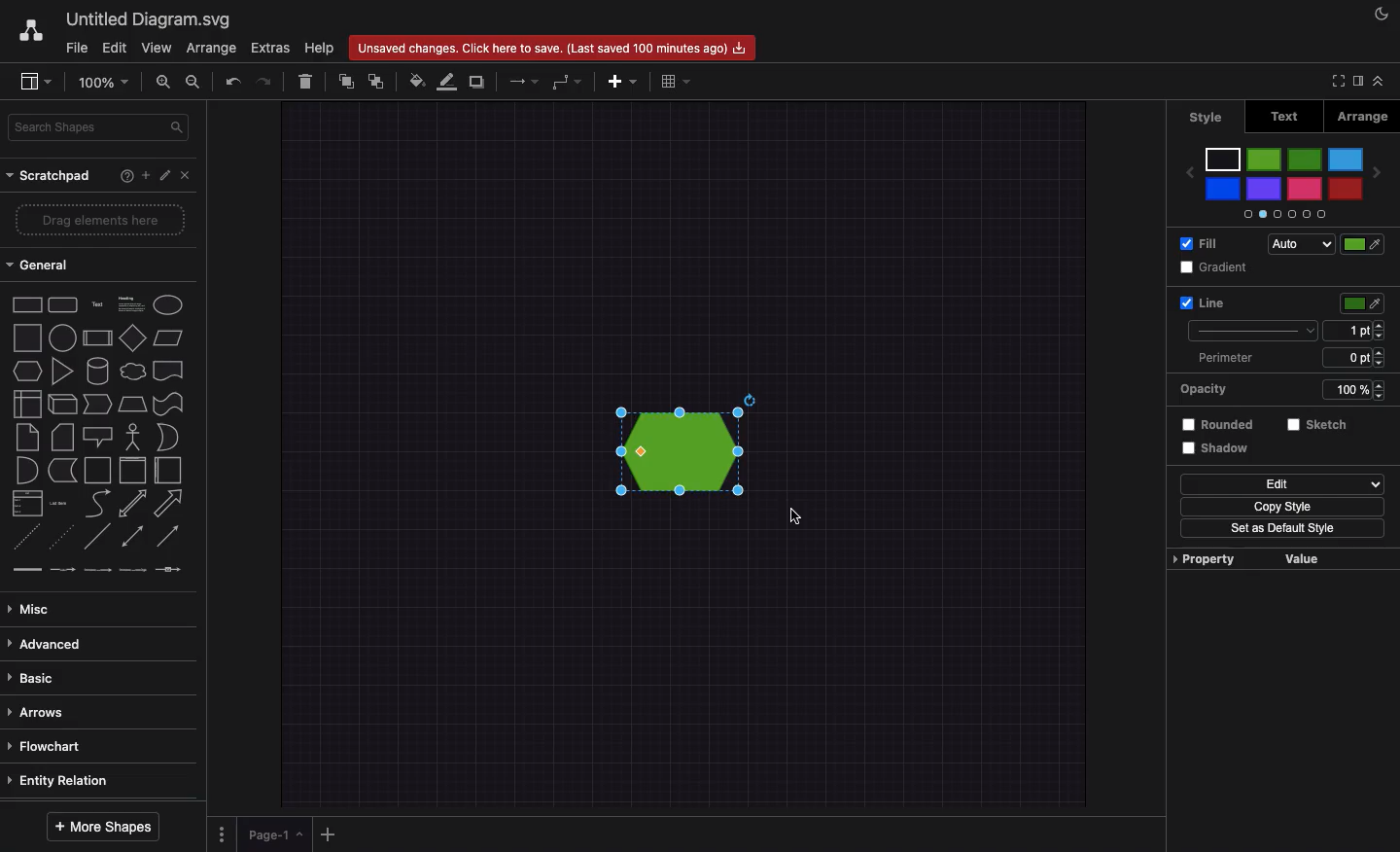  I want to click on Redo, so click(262, 83).